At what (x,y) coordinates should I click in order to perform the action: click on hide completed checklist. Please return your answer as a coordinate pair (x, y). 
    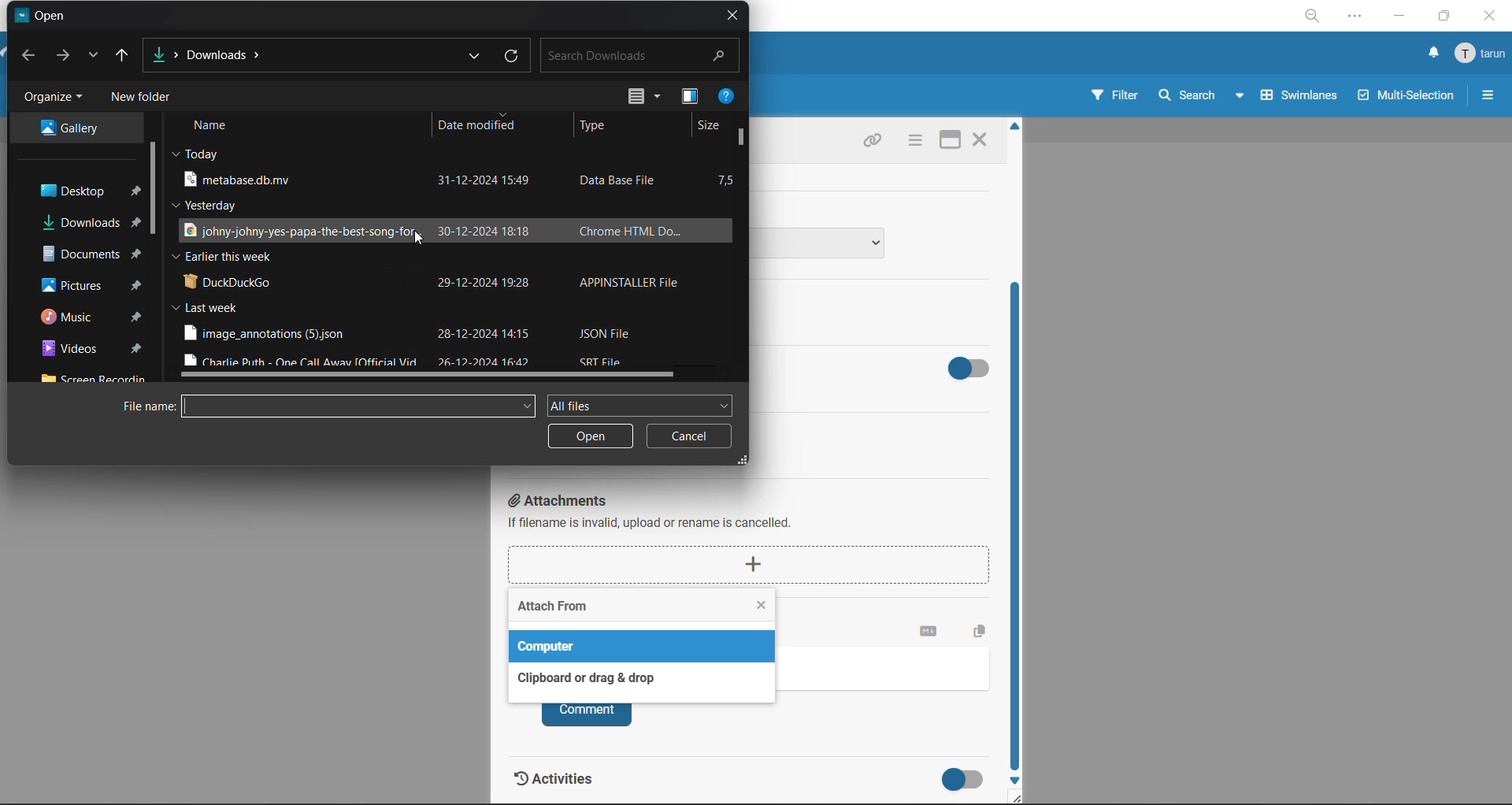
    Looking at the image, I should click on (973, 365).